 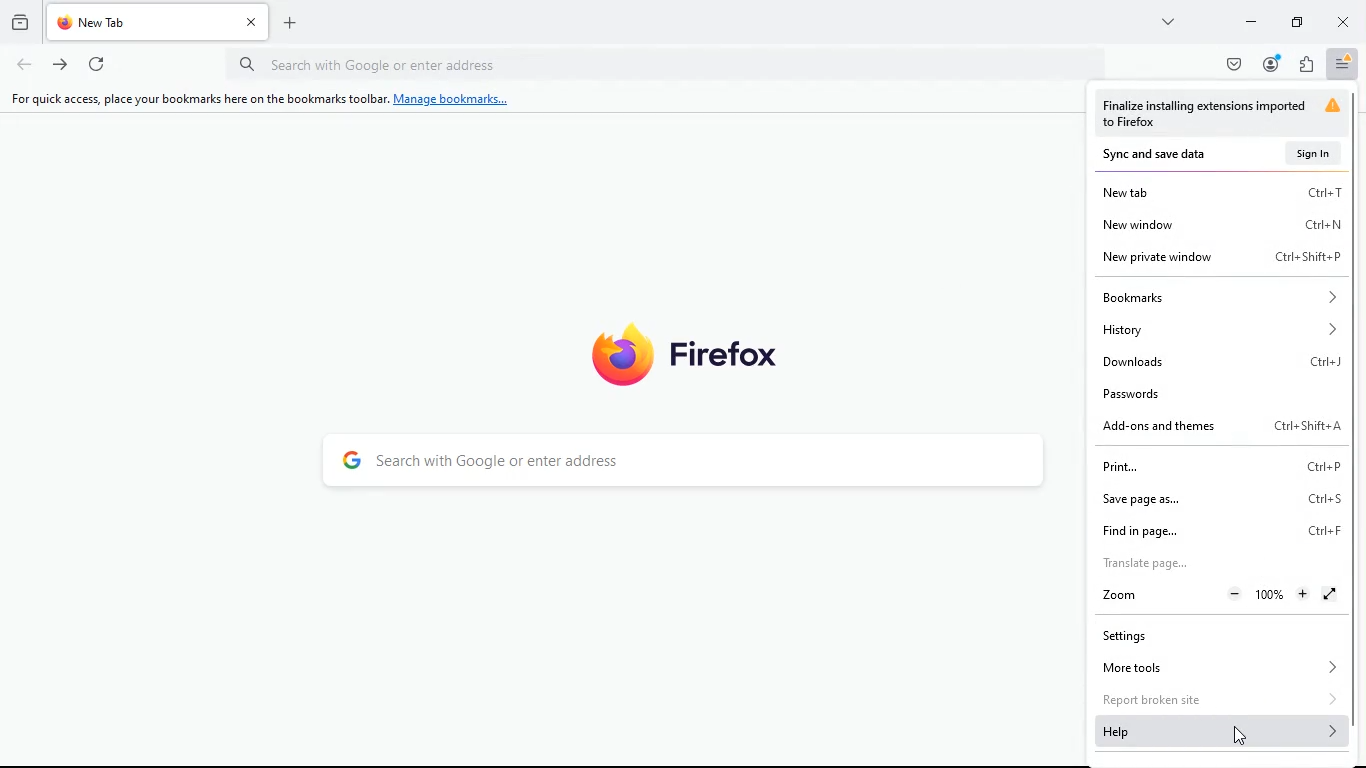 What do you see at coordinates (1223, 532) in the screenshot?
I see `find in page` at bounding box center [1223, 532].